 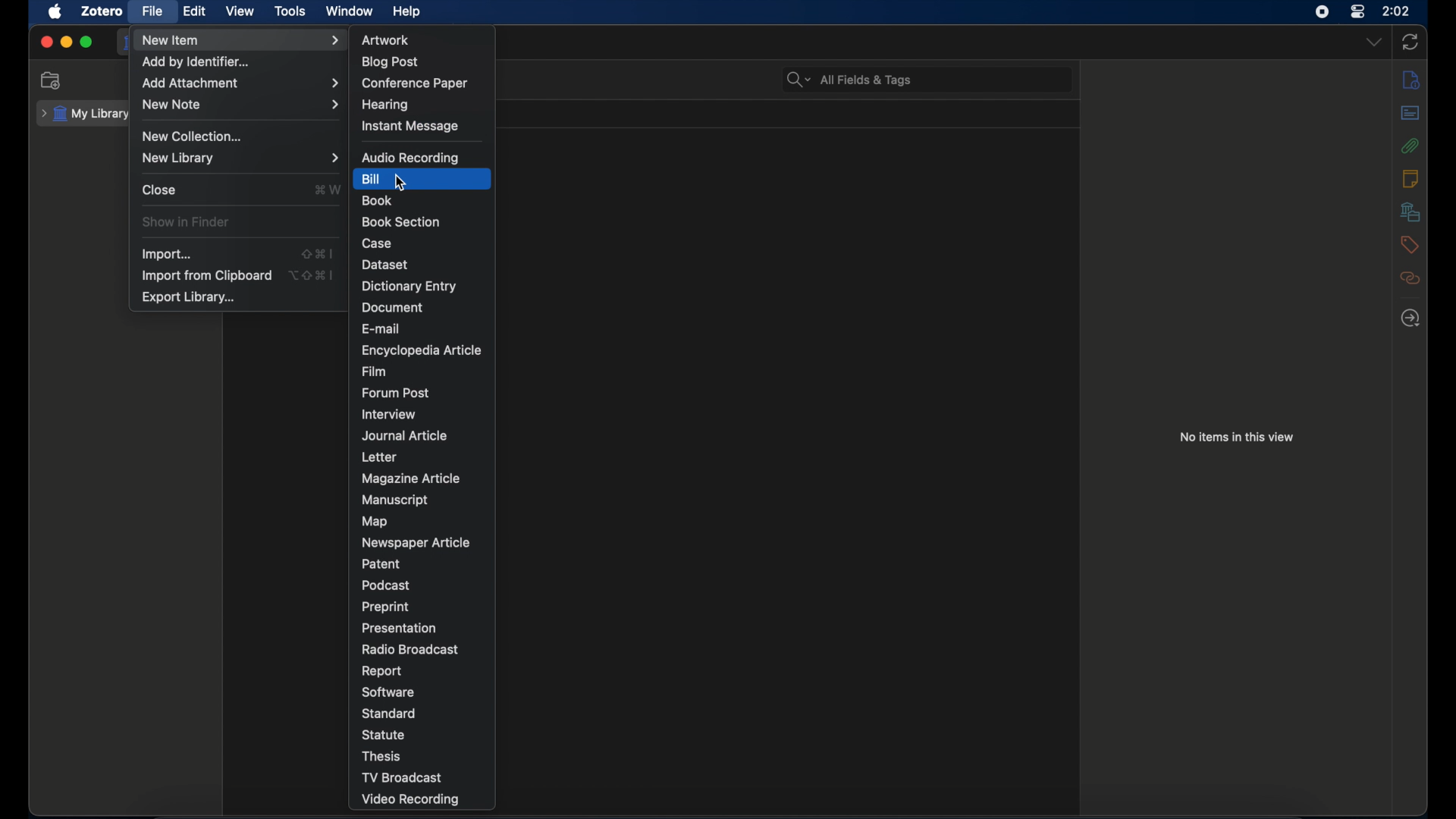 What do you see at coordinates (1359, 11) in the screenshot?
I see `control center` at bounding box center [1359, 11].